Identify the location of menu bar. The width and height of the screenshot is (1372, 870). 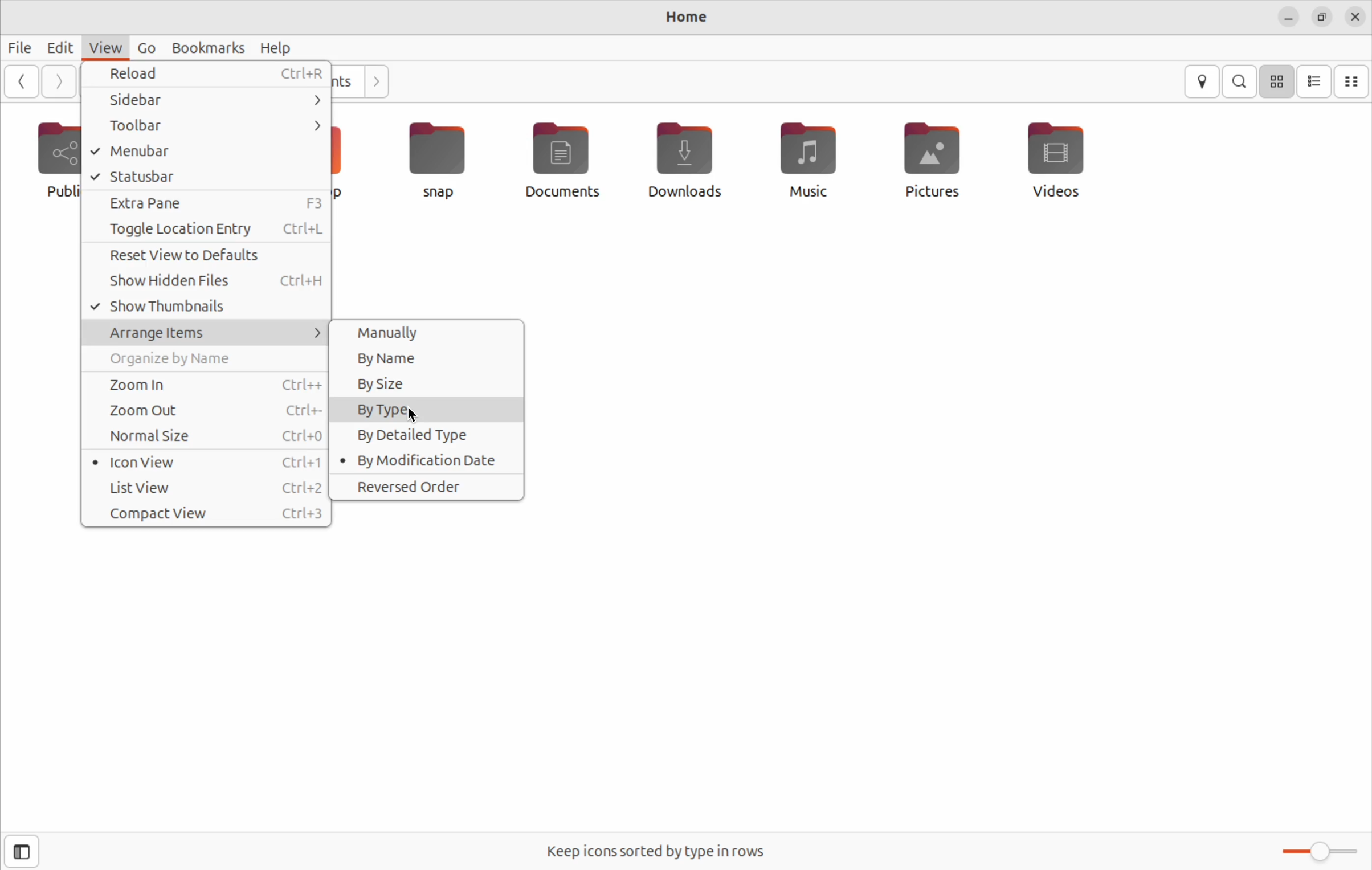
(210, 151).